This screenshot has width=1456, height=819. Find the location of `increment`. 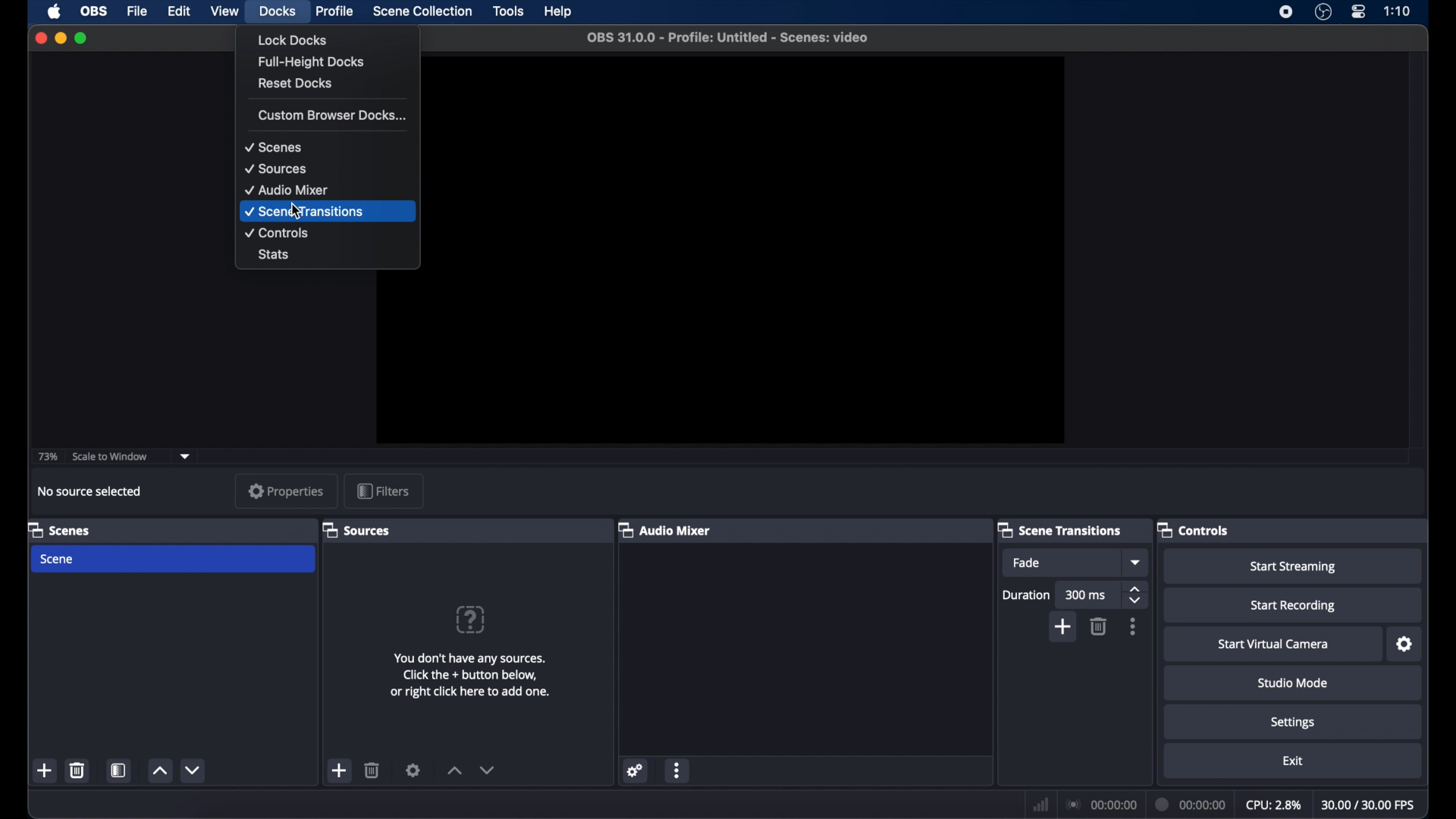

increment is located at coordinates (454, 770).